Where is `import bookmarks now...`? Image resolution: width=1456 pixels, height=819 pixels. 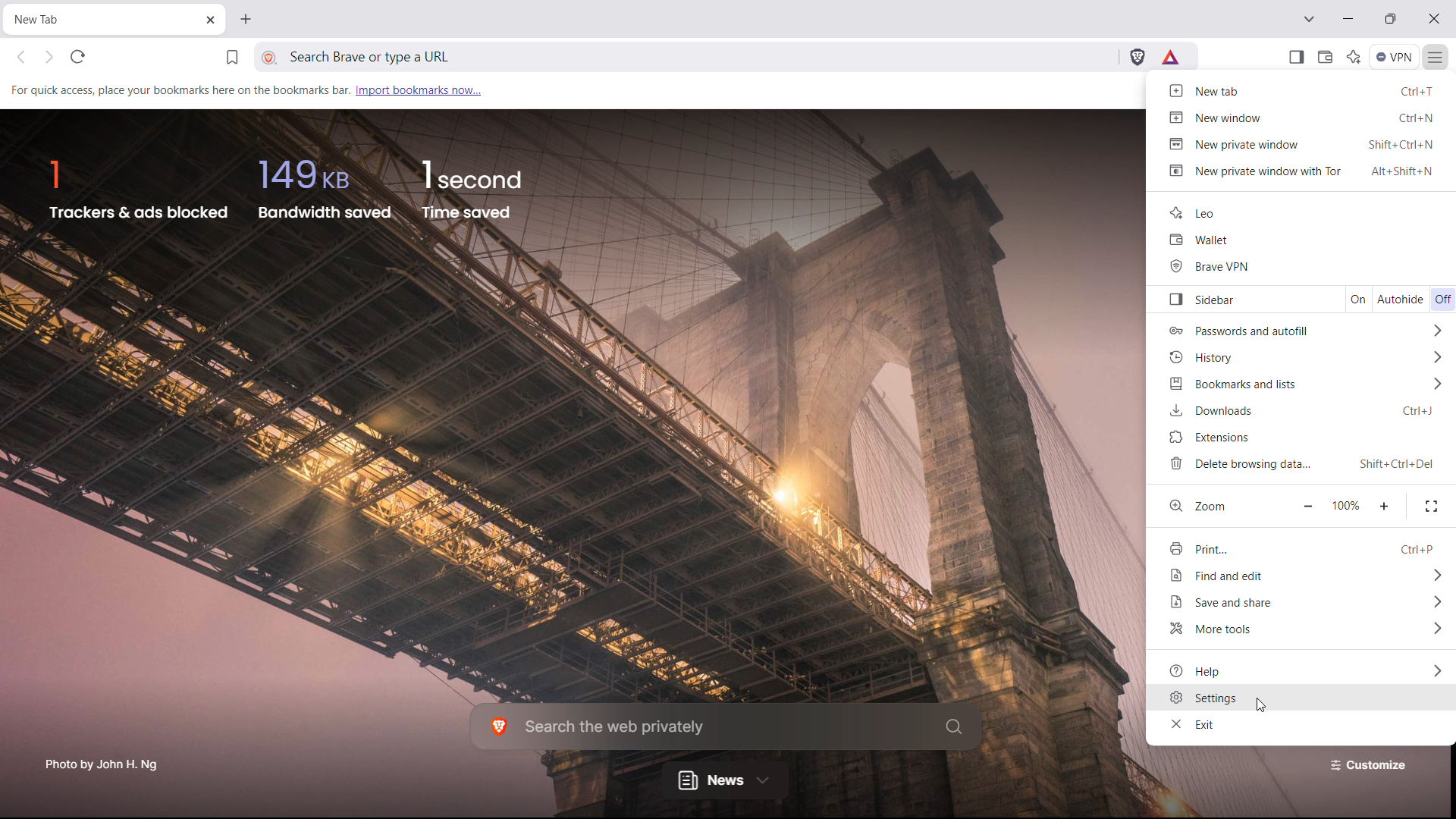 import bookmarks now... is located at coordinates (419, 89).